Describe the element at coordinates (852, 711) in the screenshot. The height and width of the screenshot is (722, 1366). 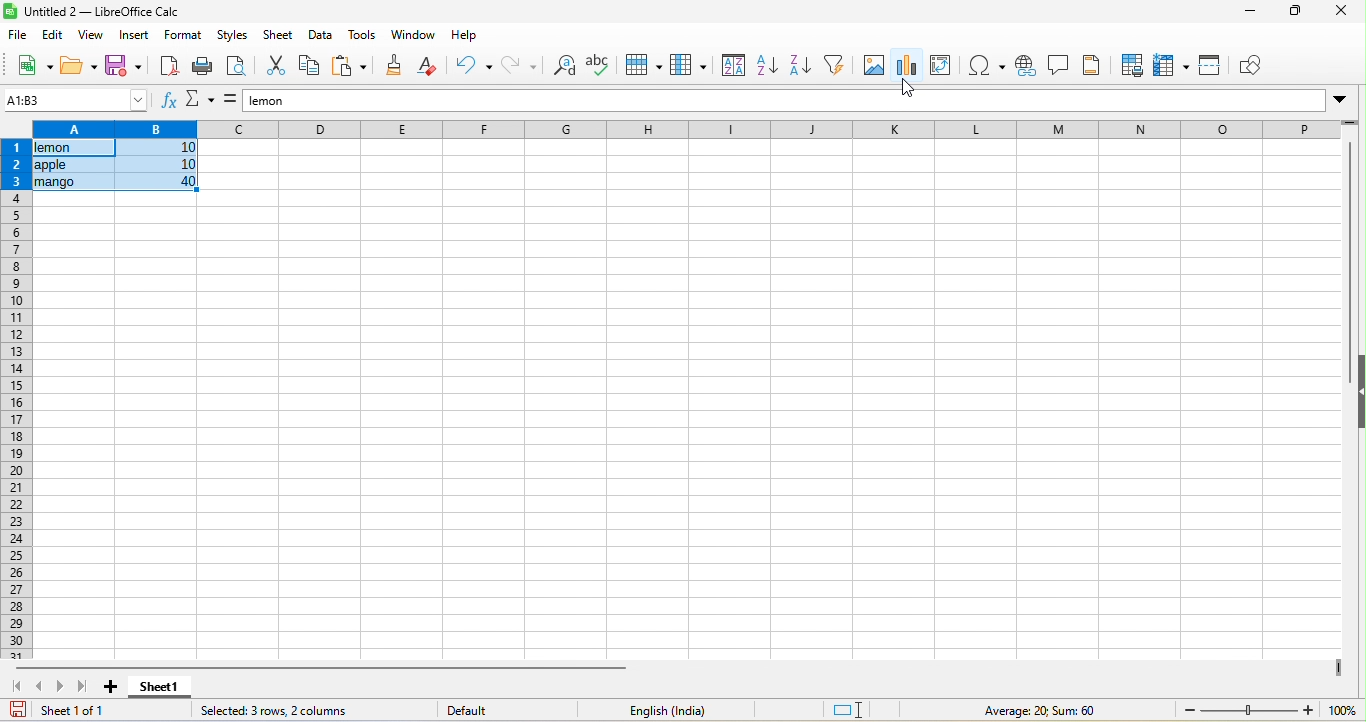
I see `standard selection` at that location.